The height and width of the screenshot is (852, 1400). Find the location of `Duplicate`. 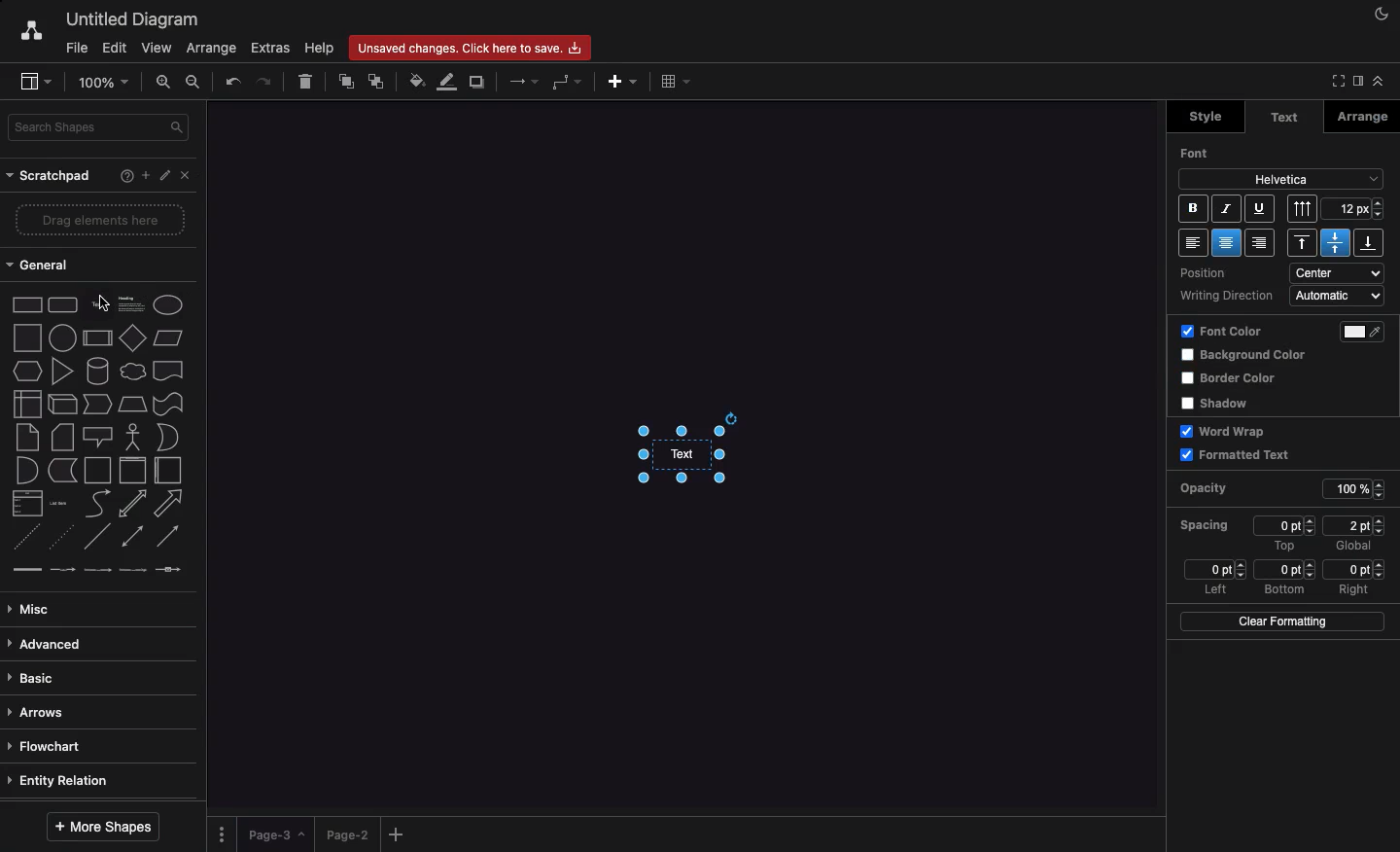

Duplicate is located at coordinates (479, 81).